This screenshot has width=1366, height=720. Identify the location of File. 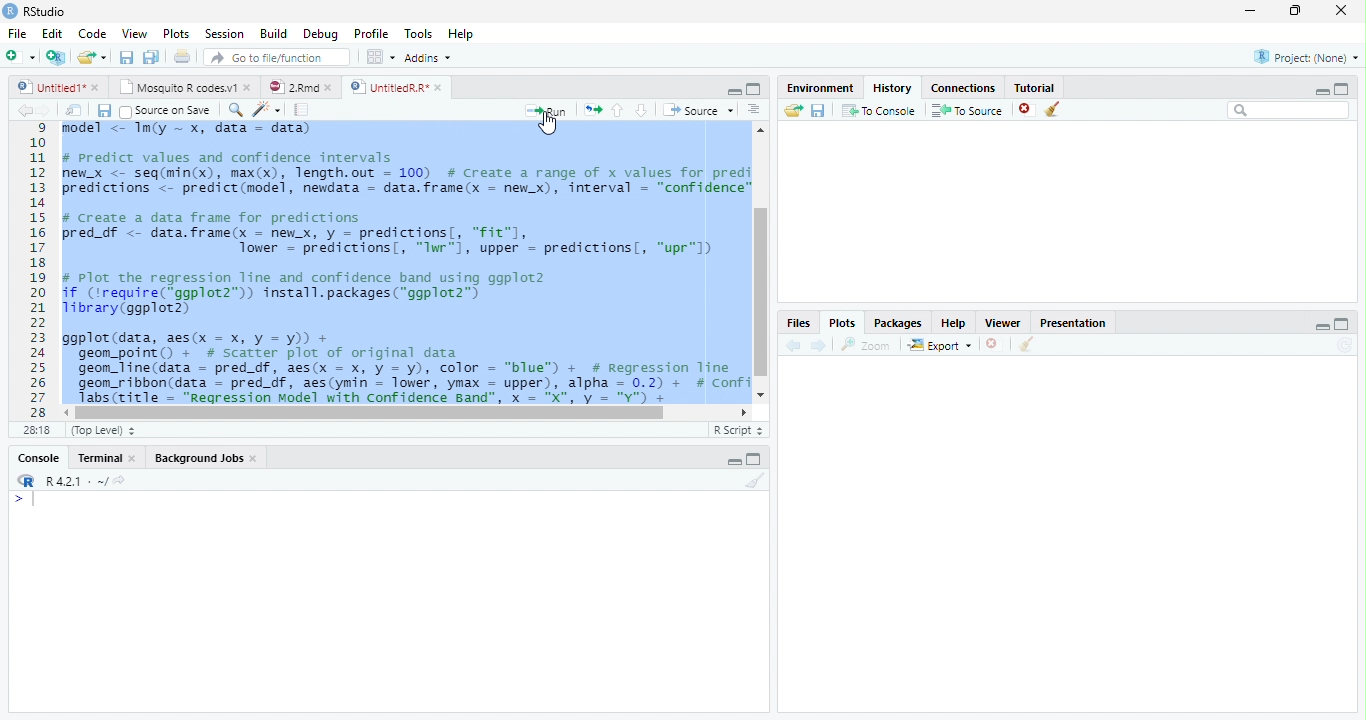
(15, 33).